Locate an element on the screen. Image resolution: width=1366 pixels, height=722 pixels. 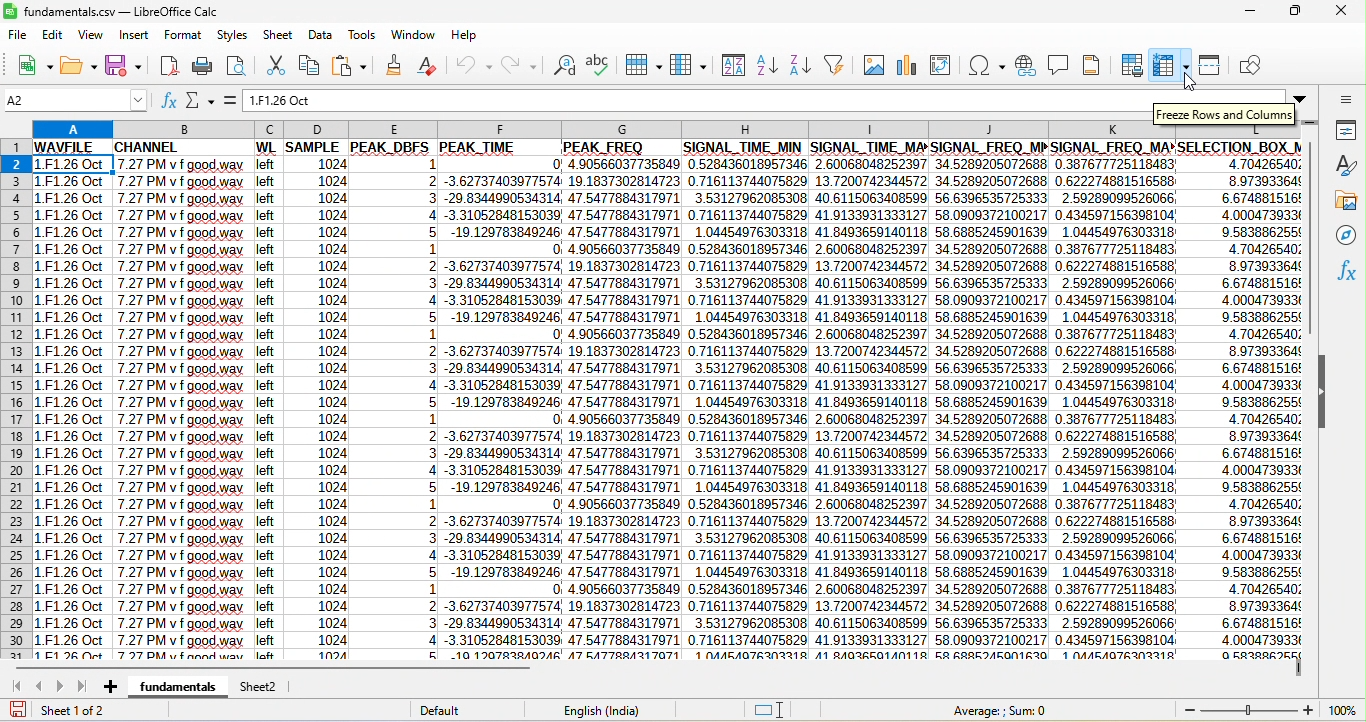
export directly as pdf is located at coordinates (168, 66).